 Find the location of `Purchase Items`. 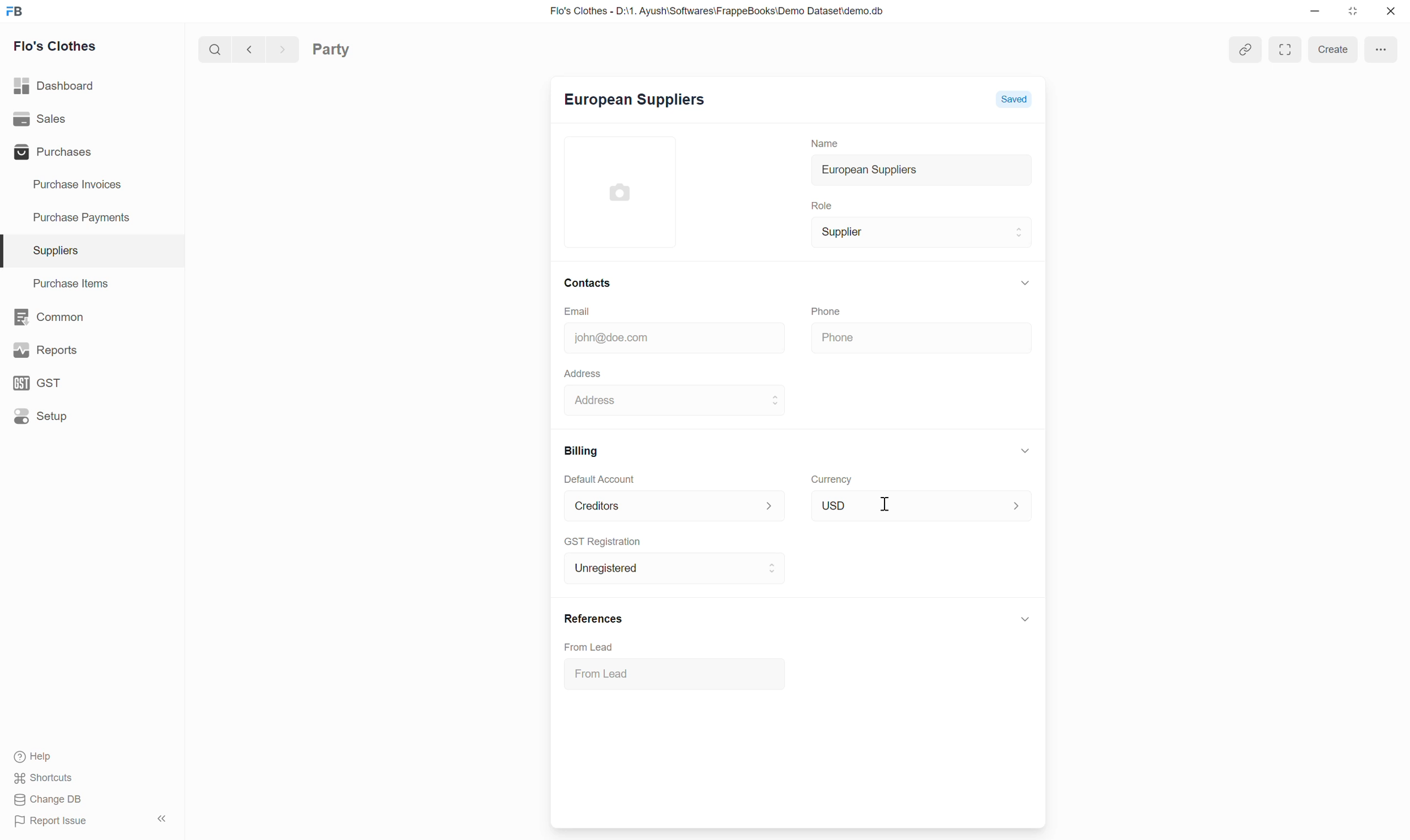

Purchase Items is located at coordinates (67, 283).